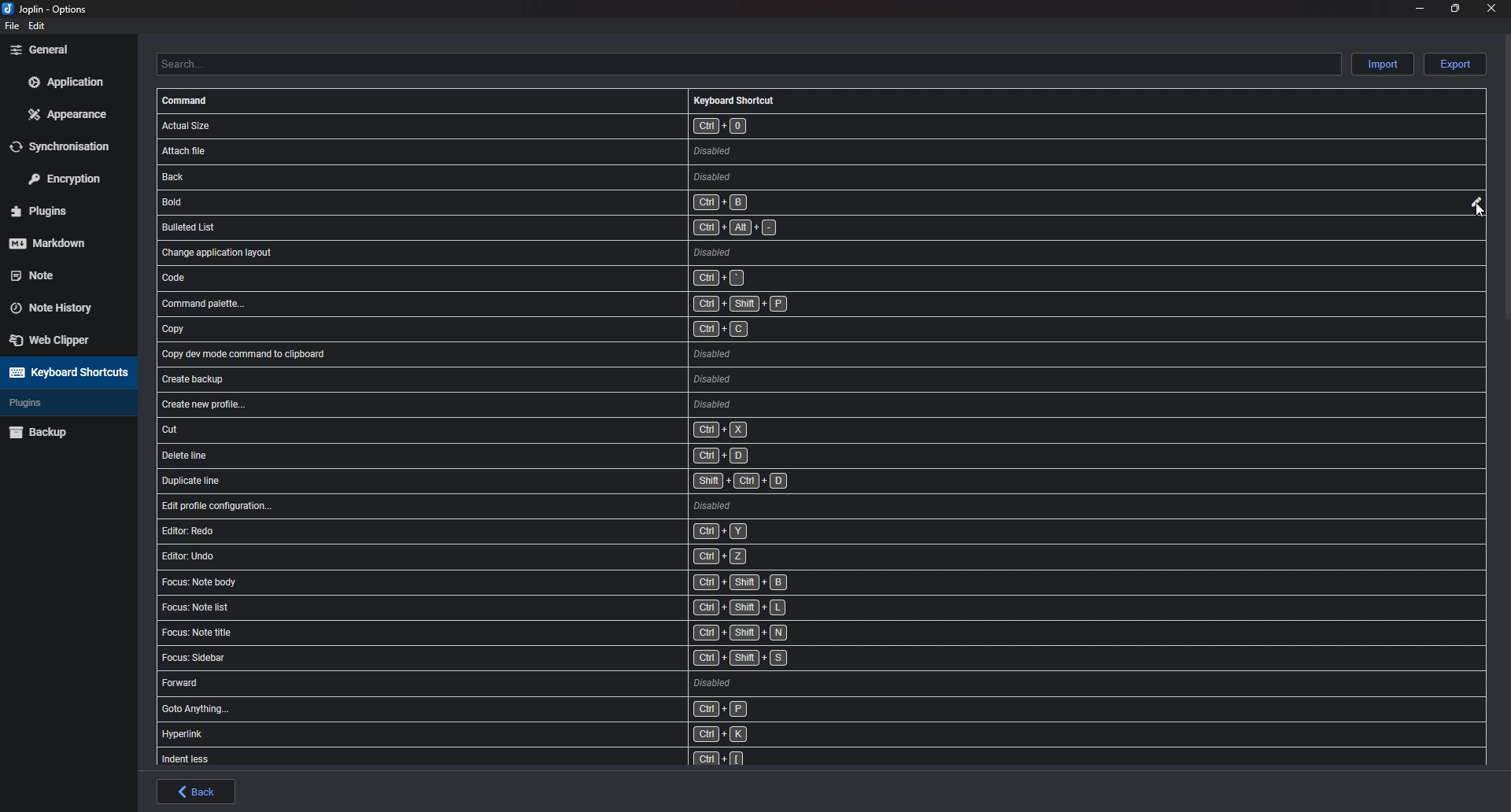  Describe the element at coordinates (59, 274) in the screenshot. I see `note` at that location.